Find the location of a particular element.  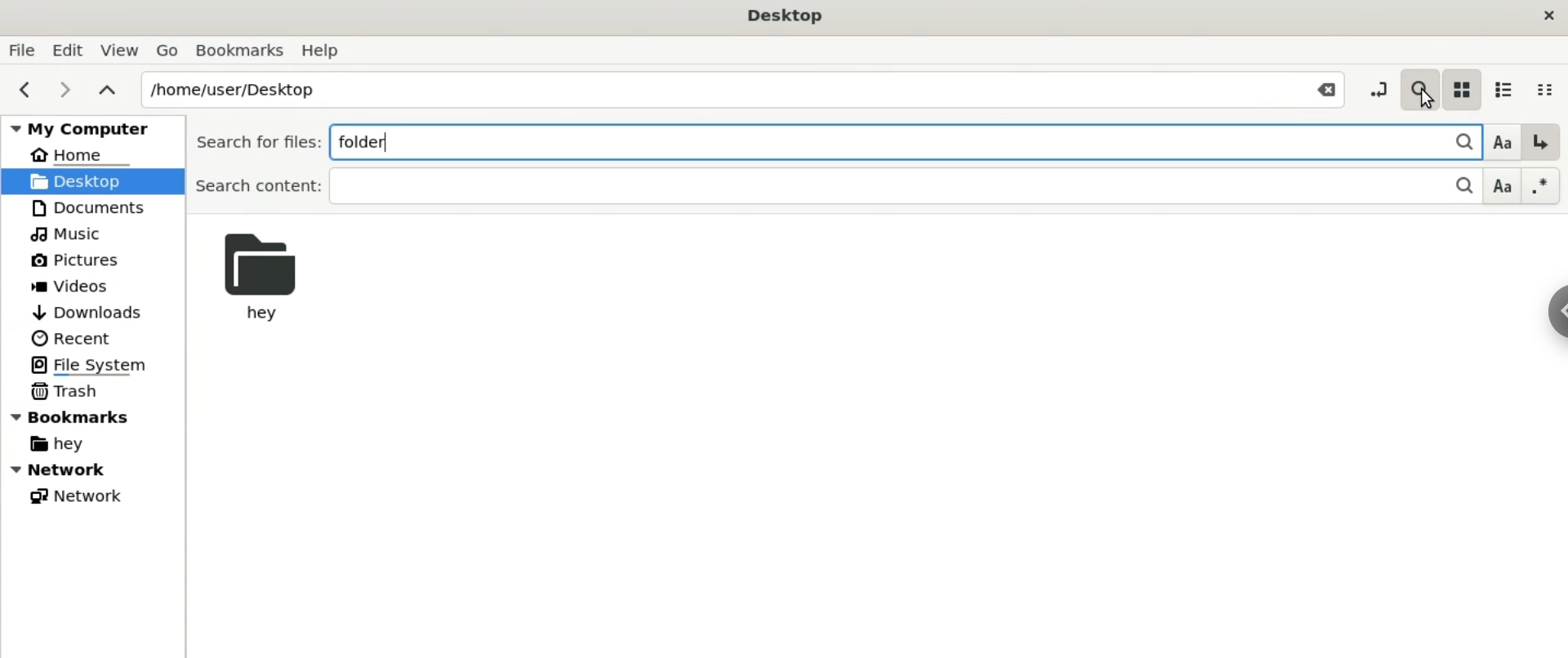

Close is located at coordinates (1325, 88).